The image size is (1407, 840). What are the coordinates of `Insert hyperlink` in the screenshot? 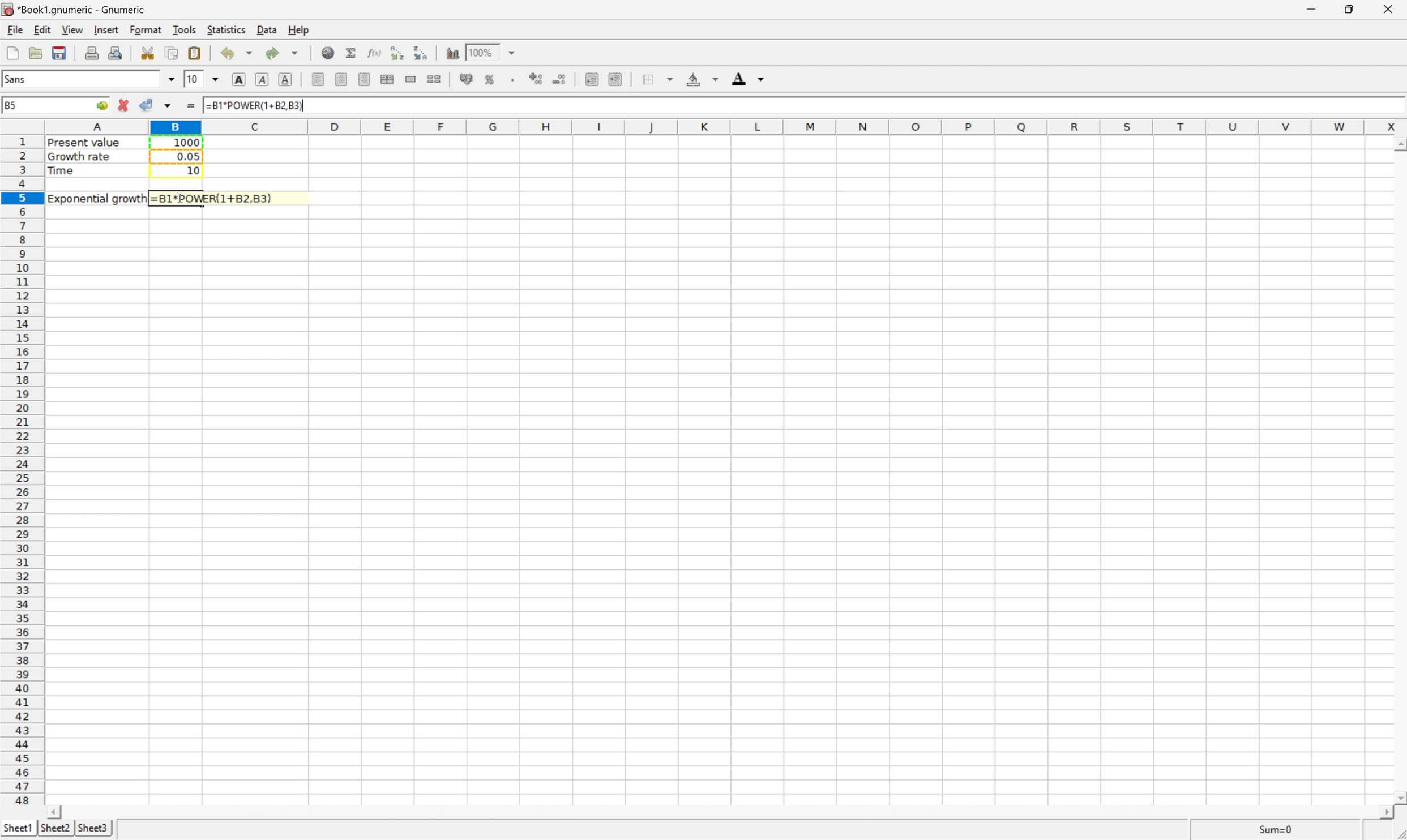 It's located at (328, 53).